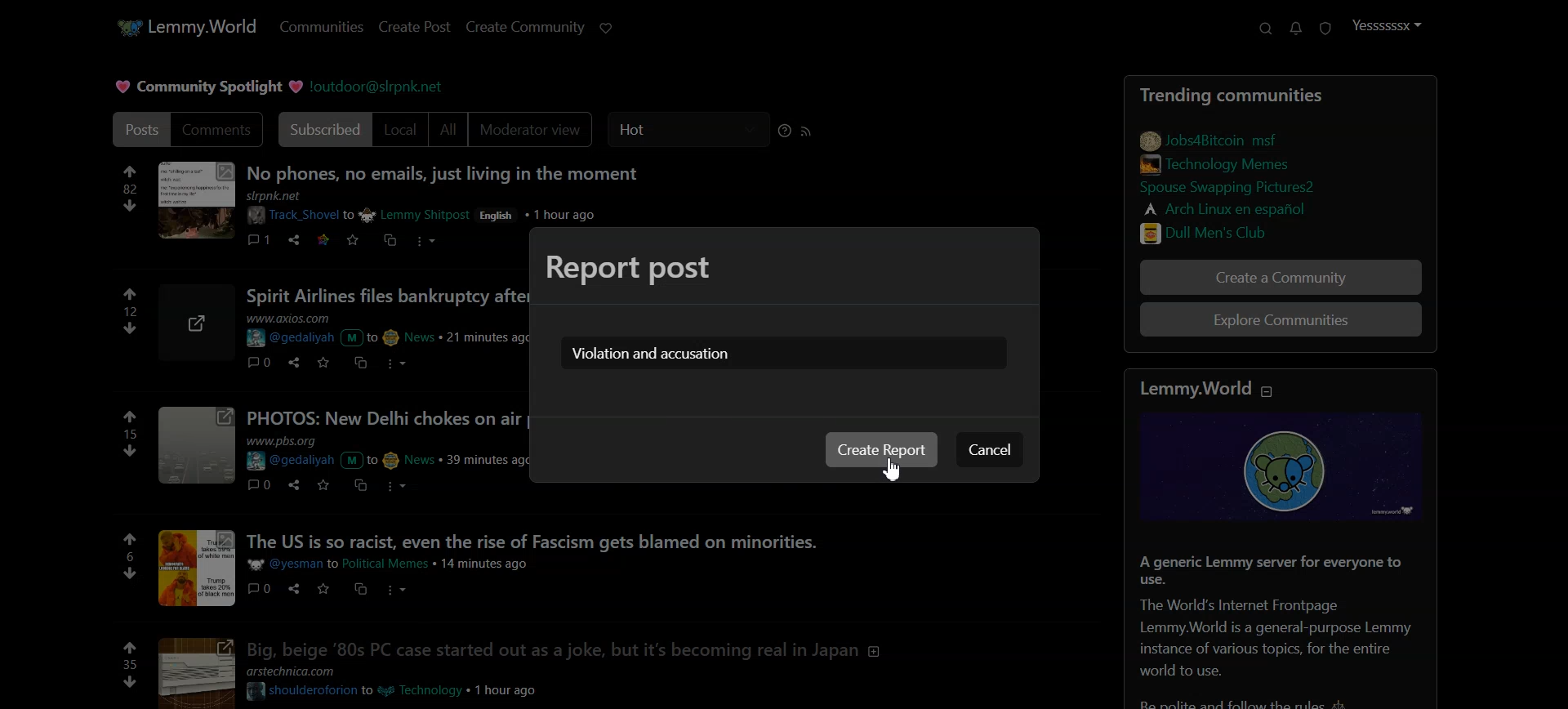  Describe the element at coordinates (379, 86) in the screenshot. I see `Hyperlink` at that location.